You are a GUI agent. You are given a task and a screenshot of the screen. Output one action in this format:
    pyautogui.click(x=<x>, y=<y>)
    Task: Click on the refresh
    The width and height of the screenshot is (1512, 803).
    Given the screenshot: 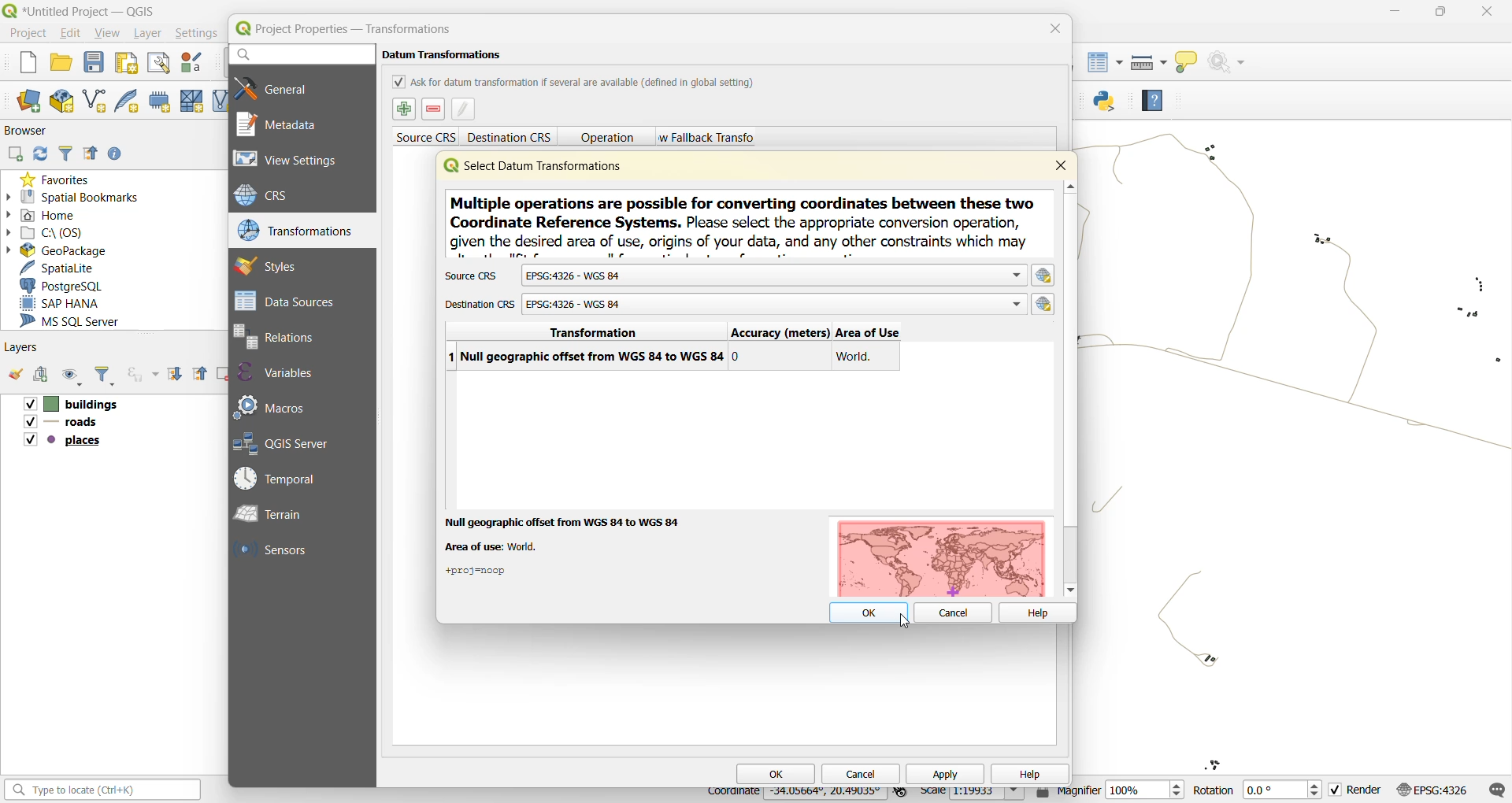 What is the action you would take?
    pyautogui.click(x=39, y=154)
    